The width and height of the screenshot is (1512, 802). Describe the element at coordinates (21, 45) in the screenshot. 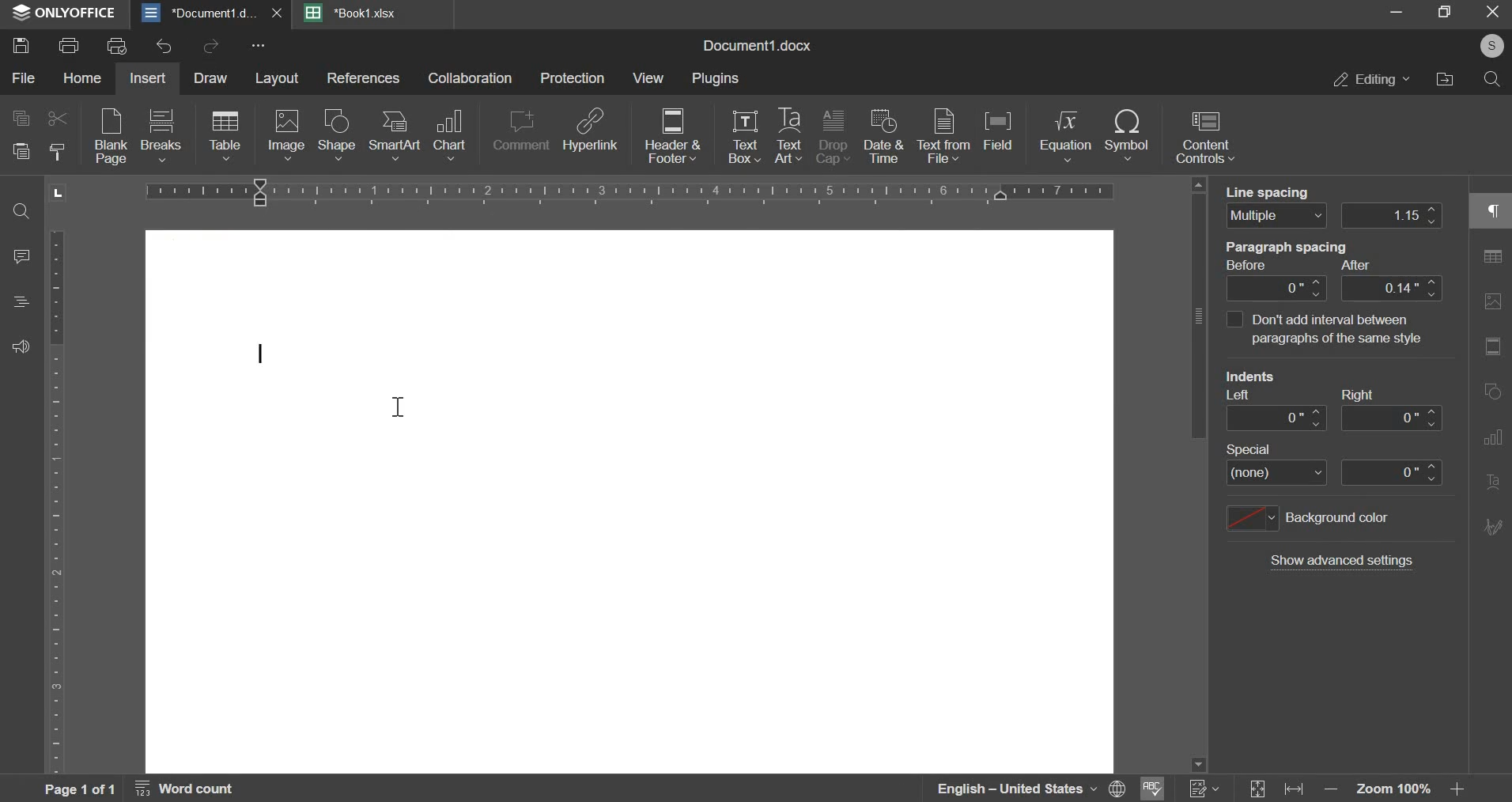

I see `save` at that location.